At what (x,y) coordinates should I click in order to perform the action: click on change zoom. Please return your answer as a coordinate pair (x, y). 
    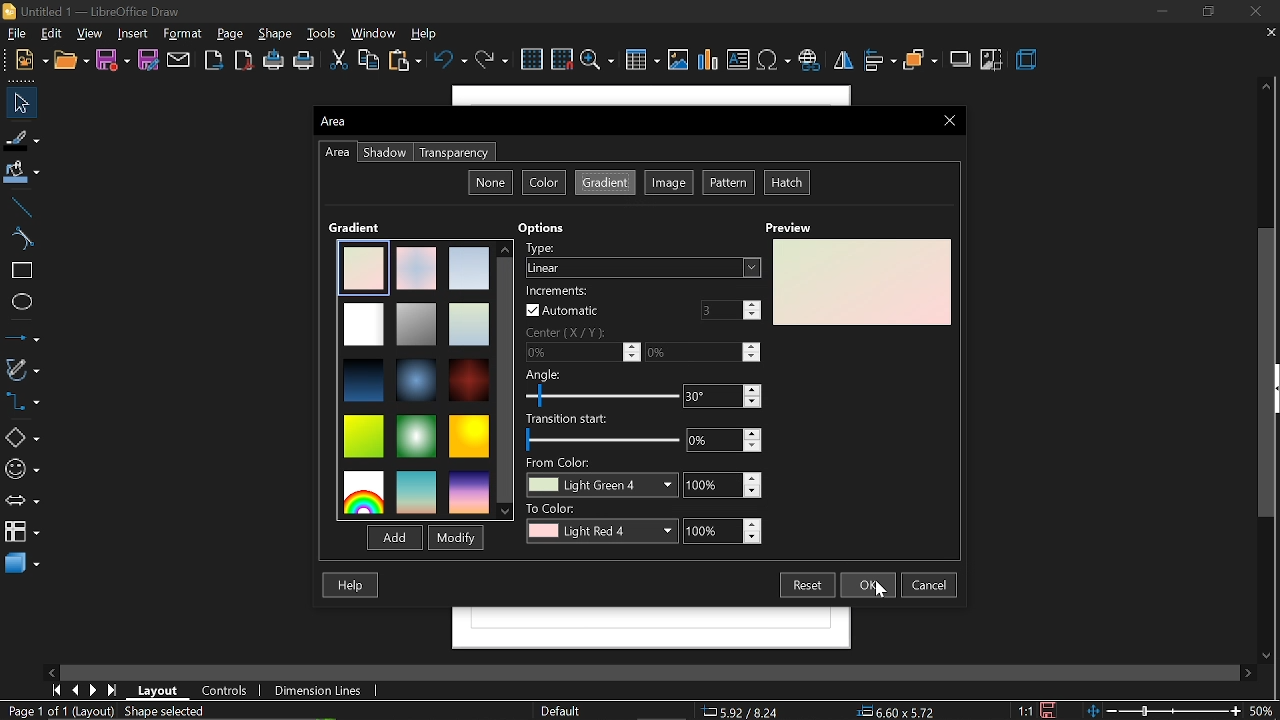
    Looking at the image, I should click on (1182, 712).